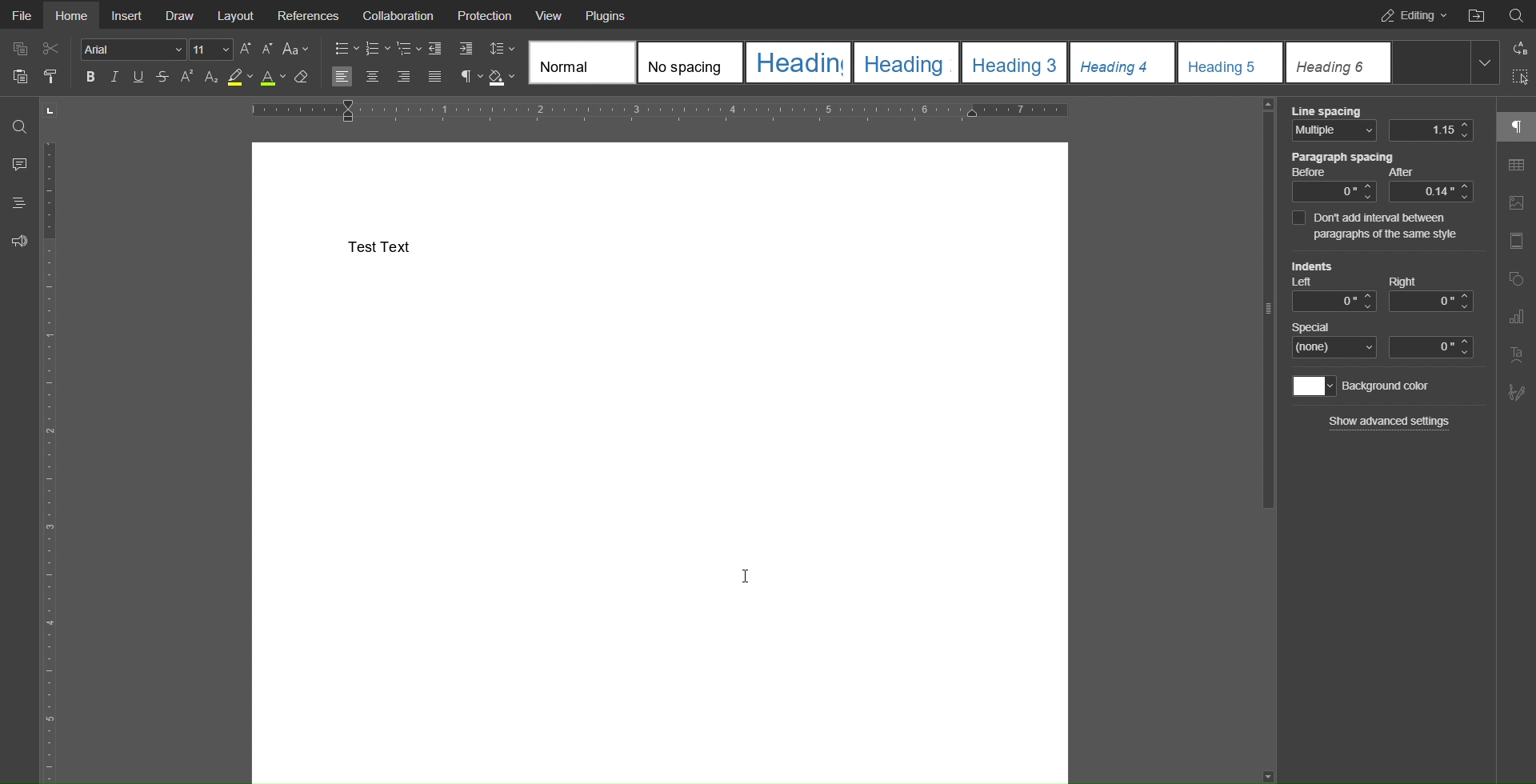 The width and height of the screenshot is (1536, 784). I want to click on Italics, so click(117, 78).